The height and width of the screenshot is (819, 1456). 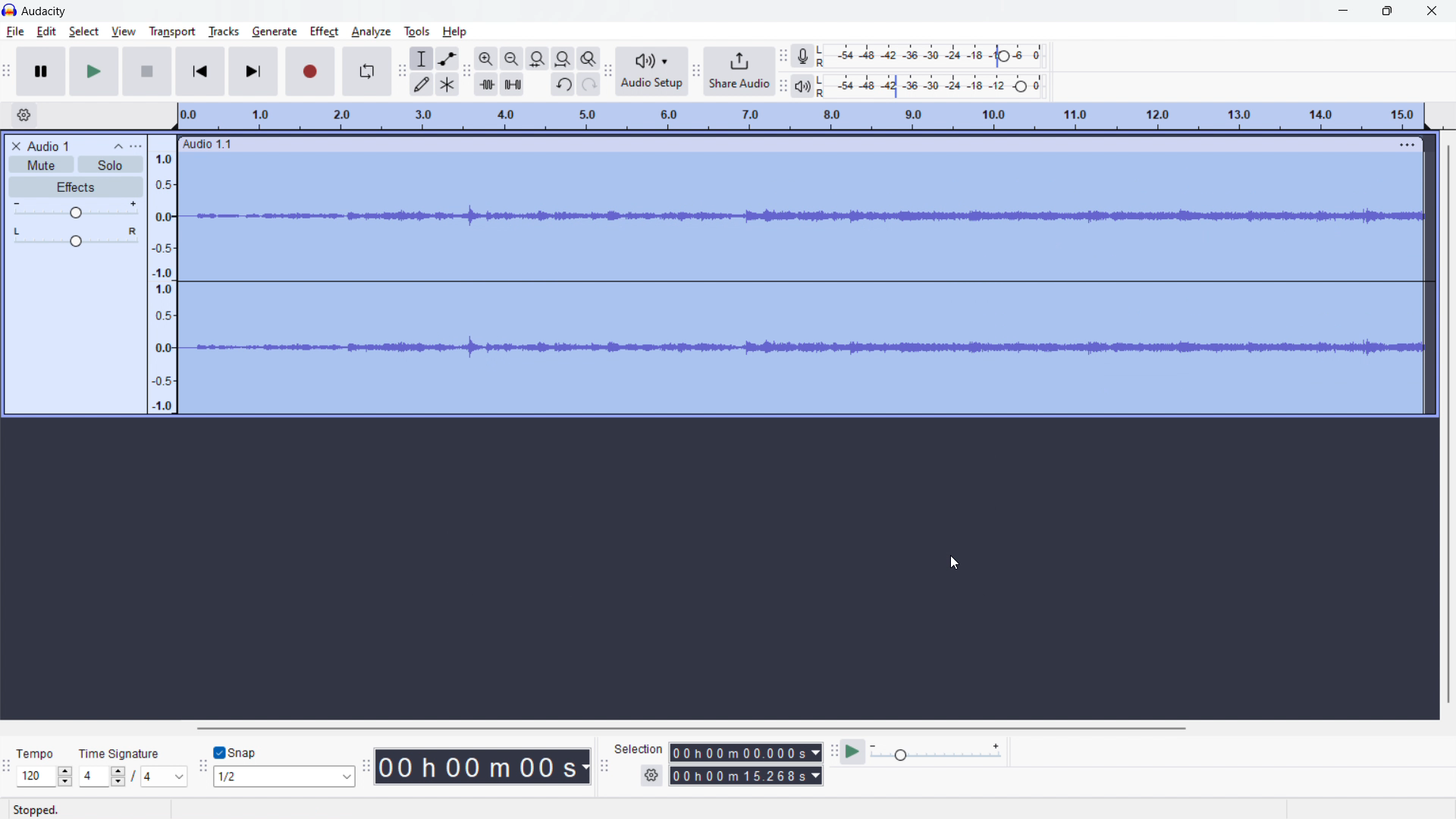 What do you see at coordinates (563, 58) in the screenshot?
I see `fit project to width` at bounding box center [563, 58].